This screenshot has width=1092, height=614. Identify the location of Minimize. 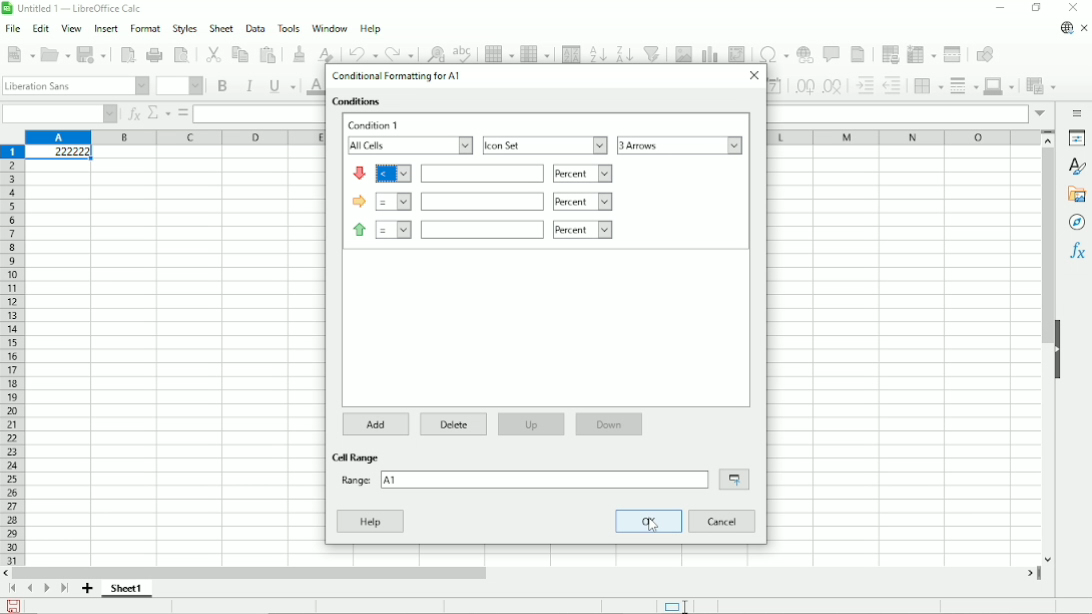
(1000, 10).